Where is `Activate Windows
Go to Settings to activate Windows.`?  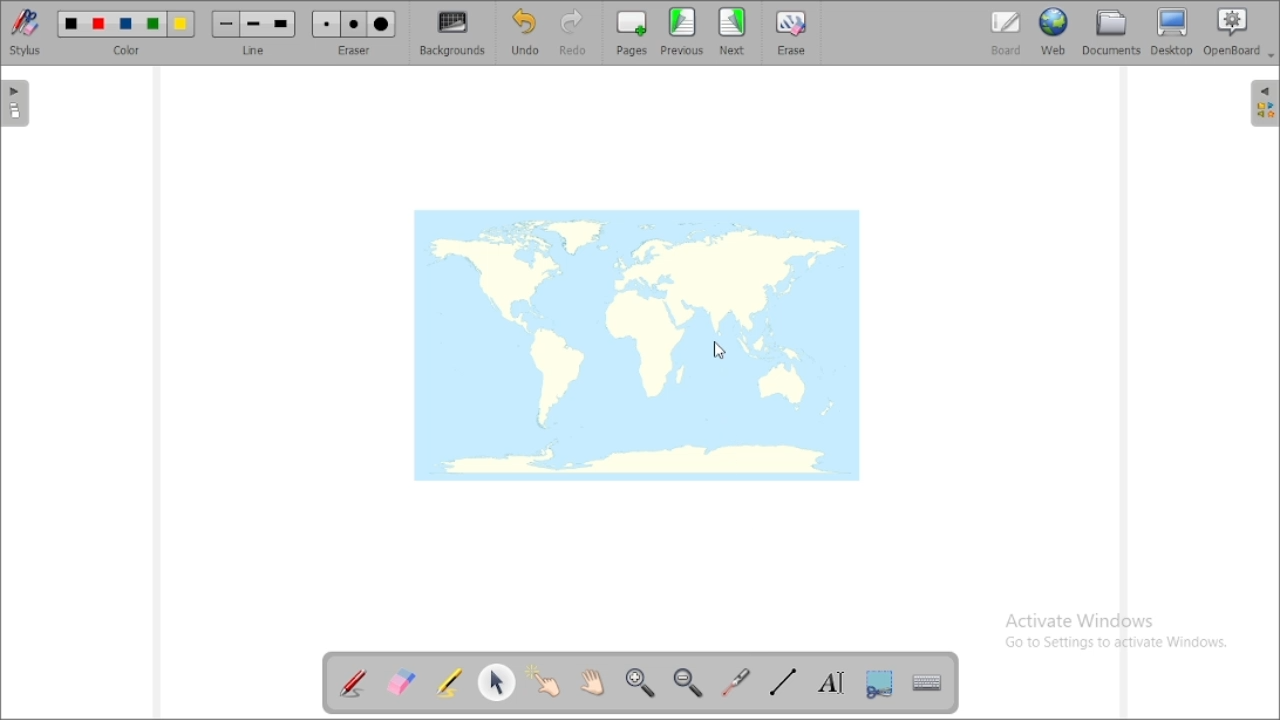
Activate Windows
Go to Settings to activate Windows. is located at coordinates (1112, 626).